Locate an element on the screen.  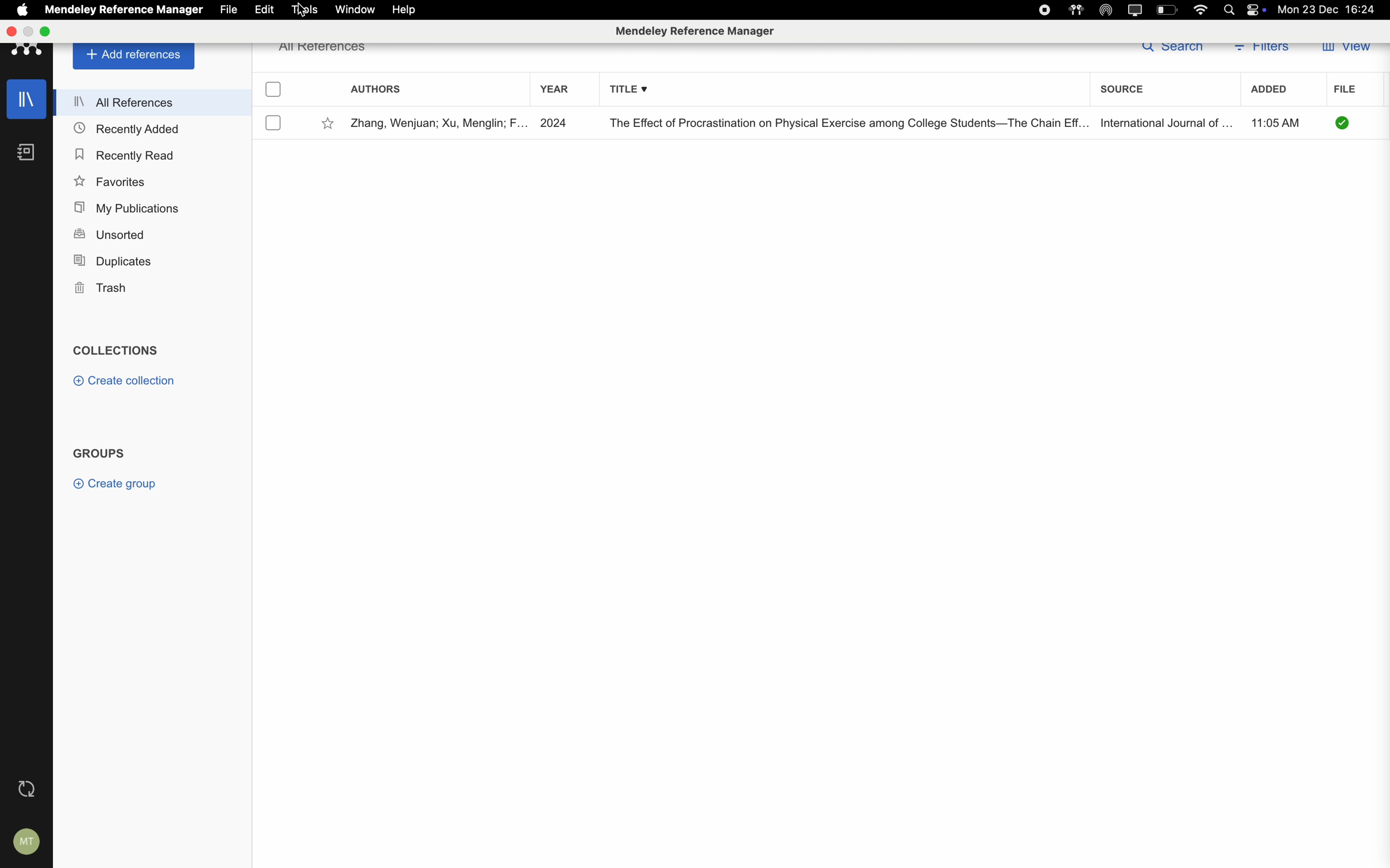
battery is located at coordinates (1166, 10).